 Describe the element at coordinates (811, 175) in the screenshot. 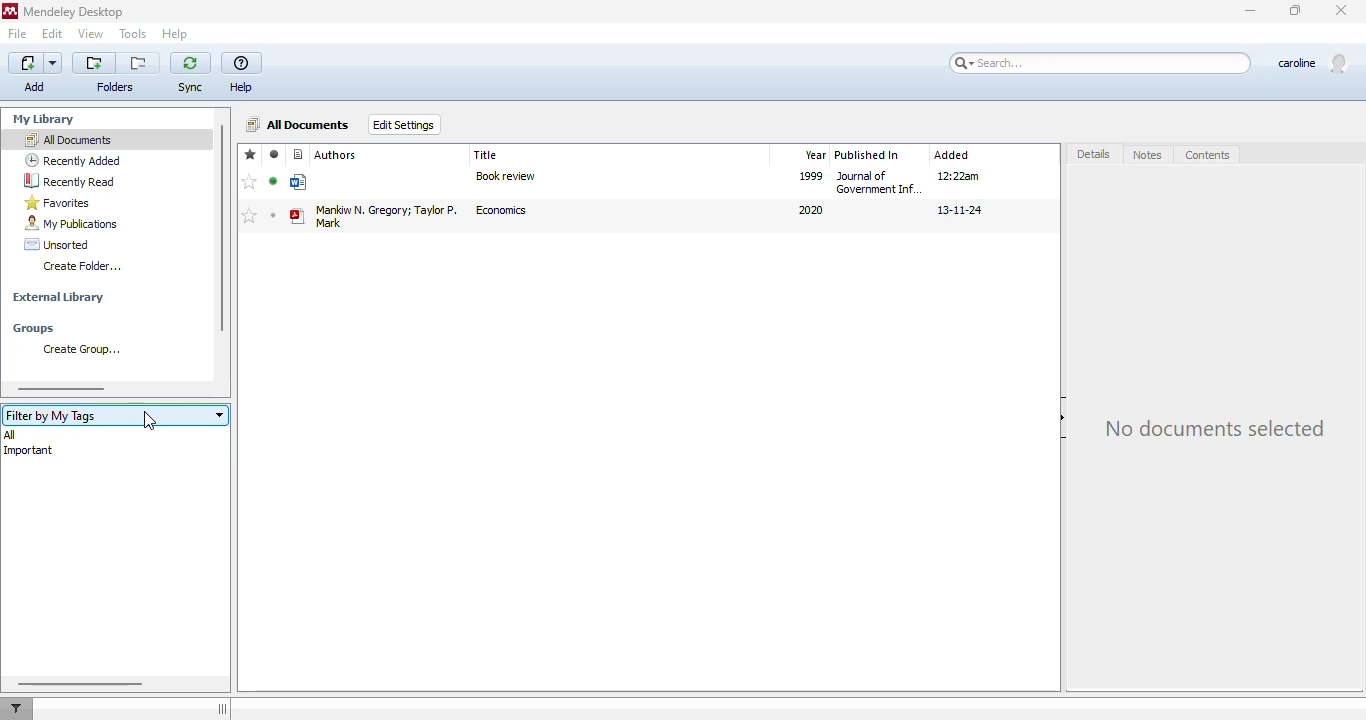

I see `1999` at that location.